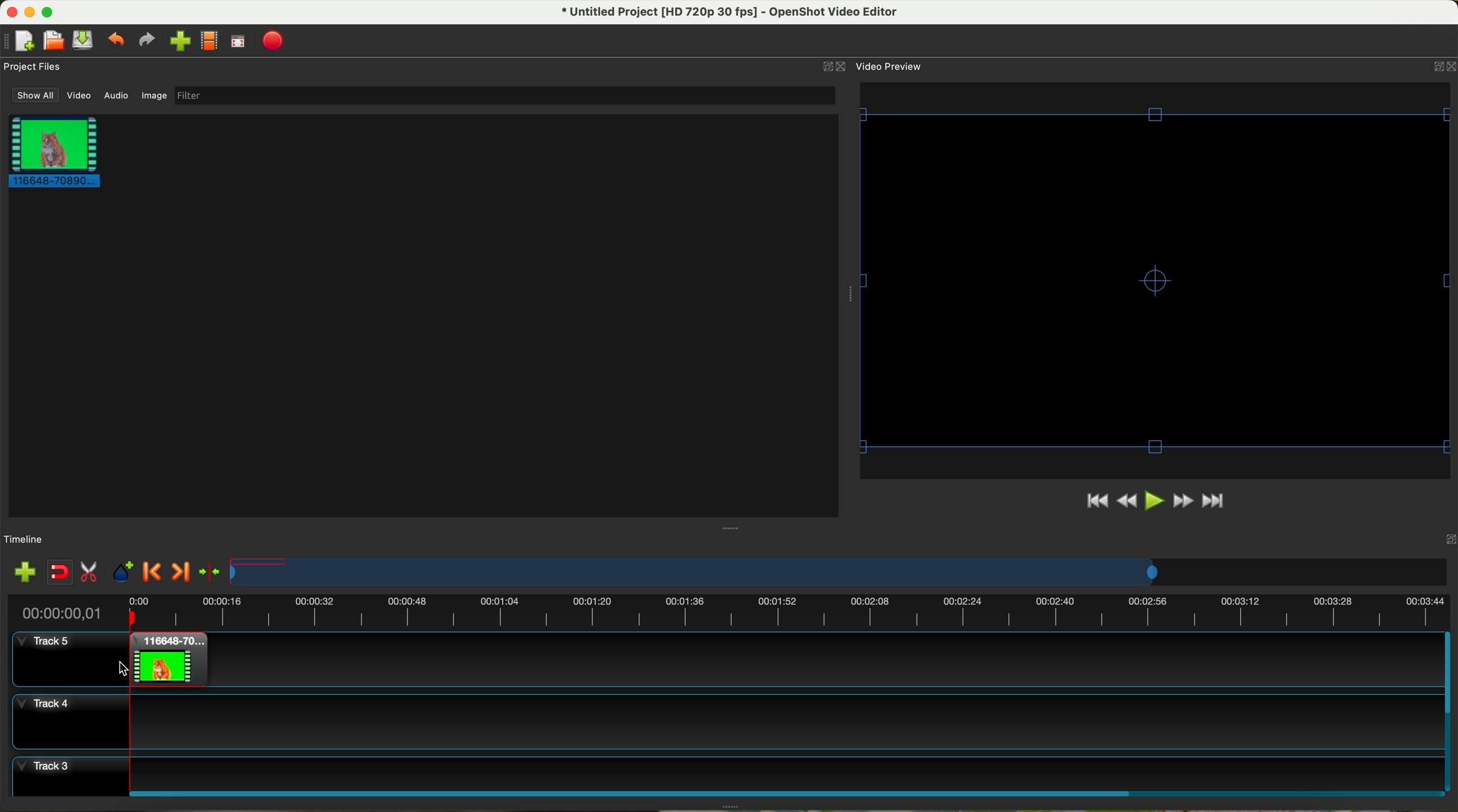 The width and height of the screenshot is (1458, 812). I want to click on scroll bar, so click(1449, 711).